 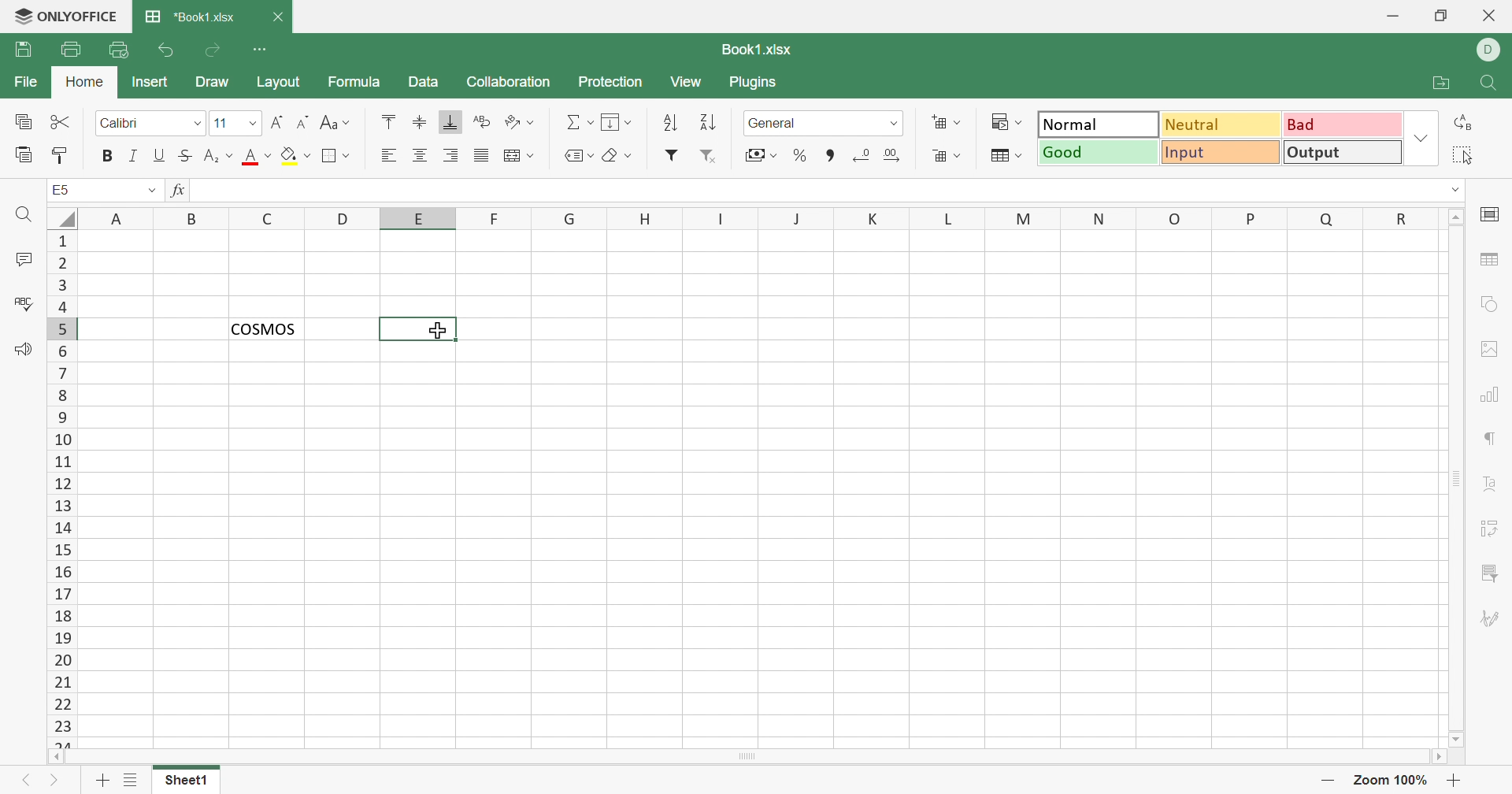 I want to click on Font color, so click(x=258, y=156).